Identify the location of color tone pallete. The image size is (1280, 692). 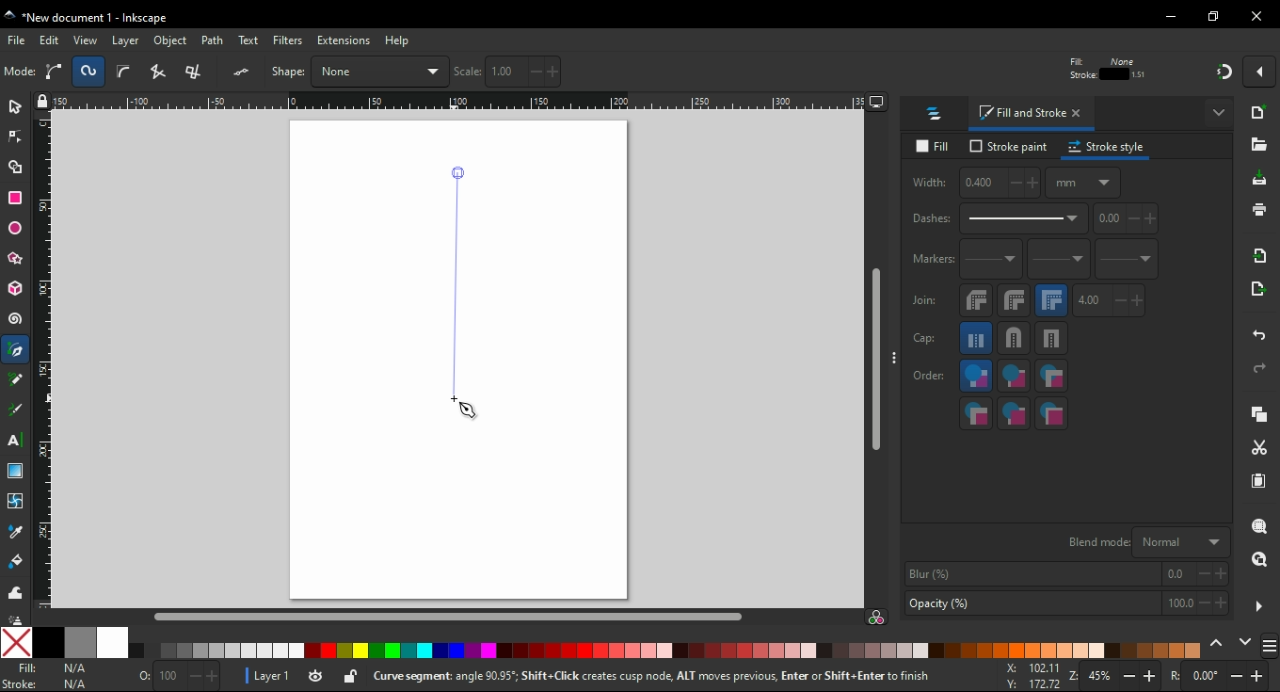
(1027, 650).